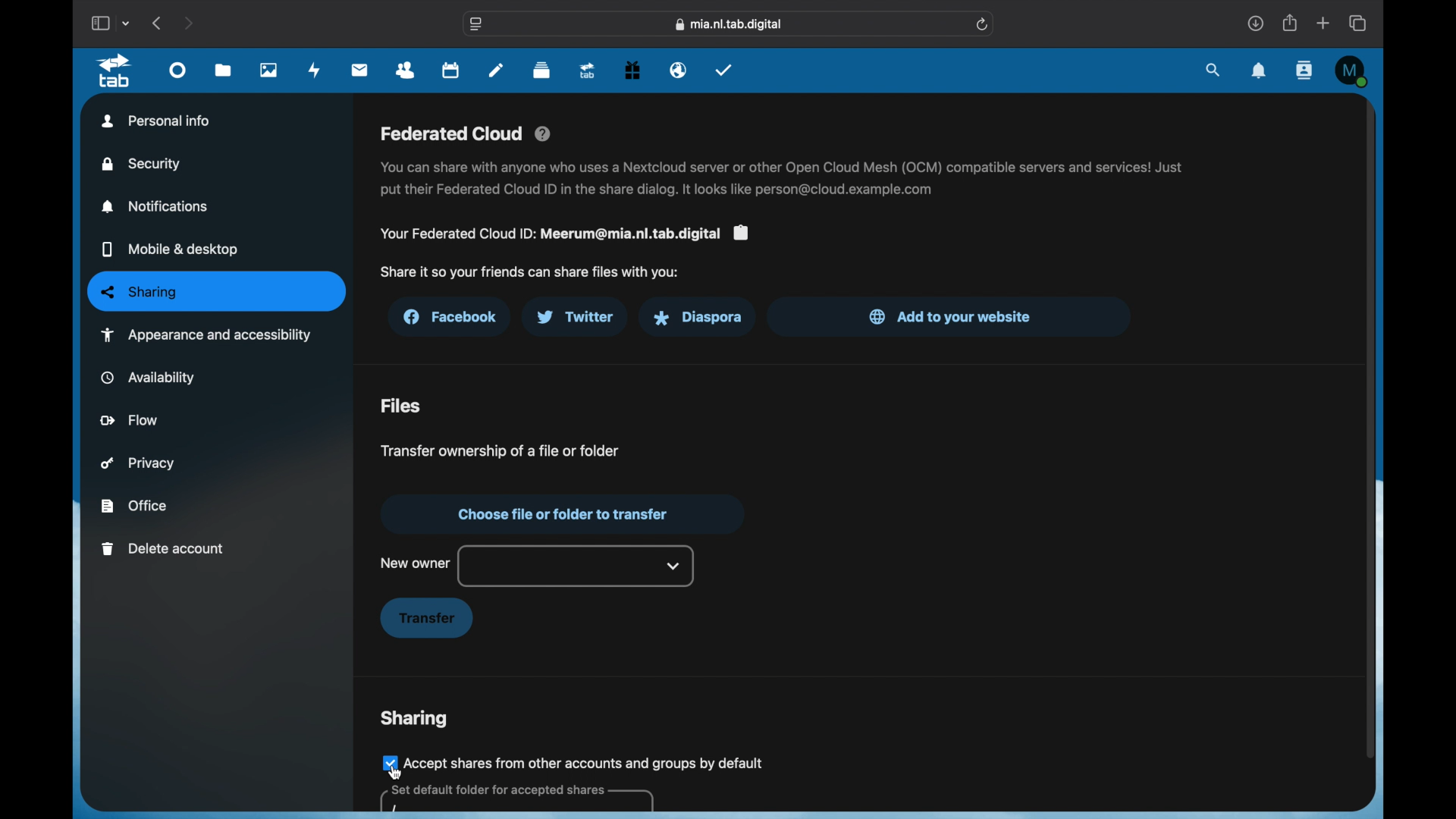  What do you see at coordinates (401, 406) in the screenshot?
I see `files` at bounding box center [401, 406].